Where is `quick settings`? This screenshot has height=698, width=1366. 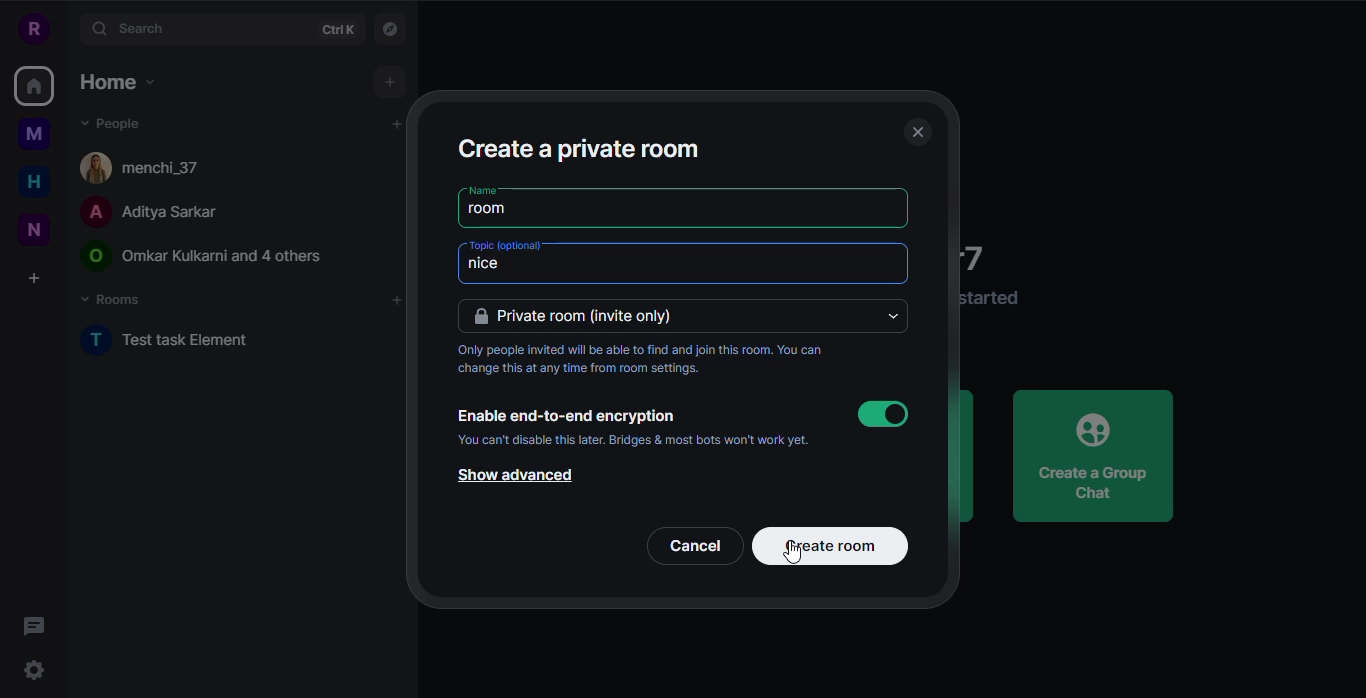 quick settings is located at coordinates (35, 673).